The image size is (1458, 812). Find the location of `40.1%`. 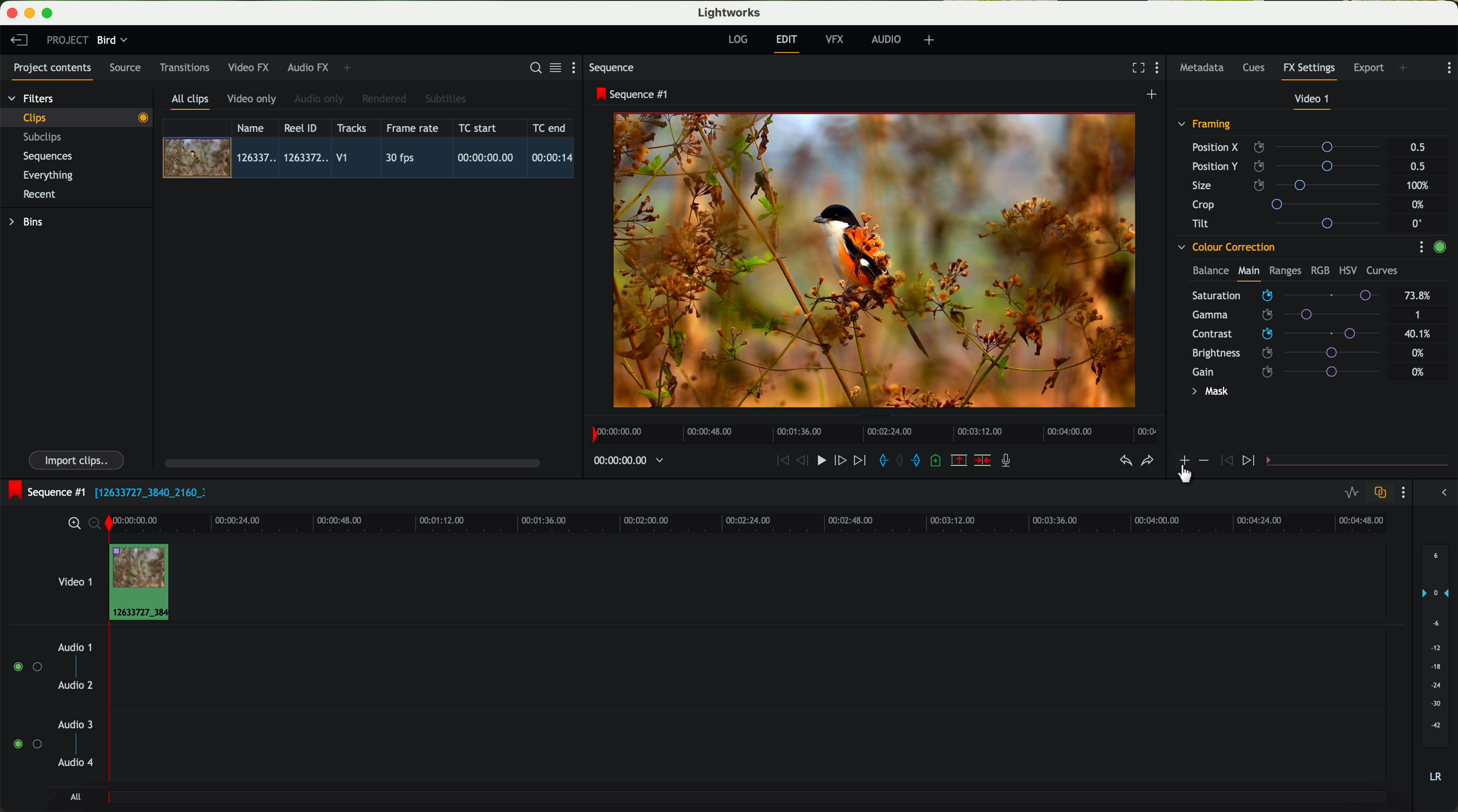

40.1% is located at coordinates (1421, 334).